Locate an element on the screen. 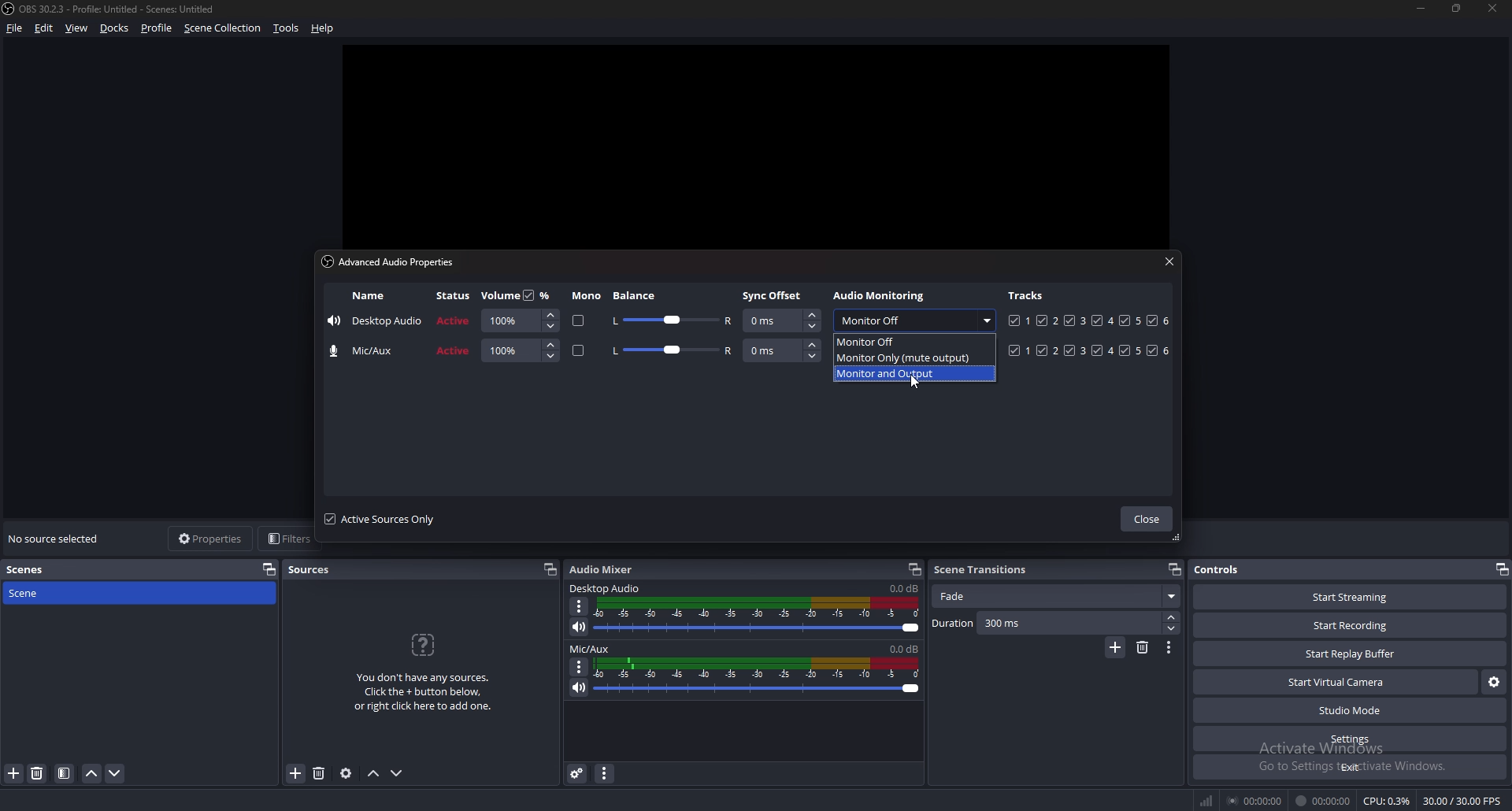  mono is located at coordinates (579, 320).